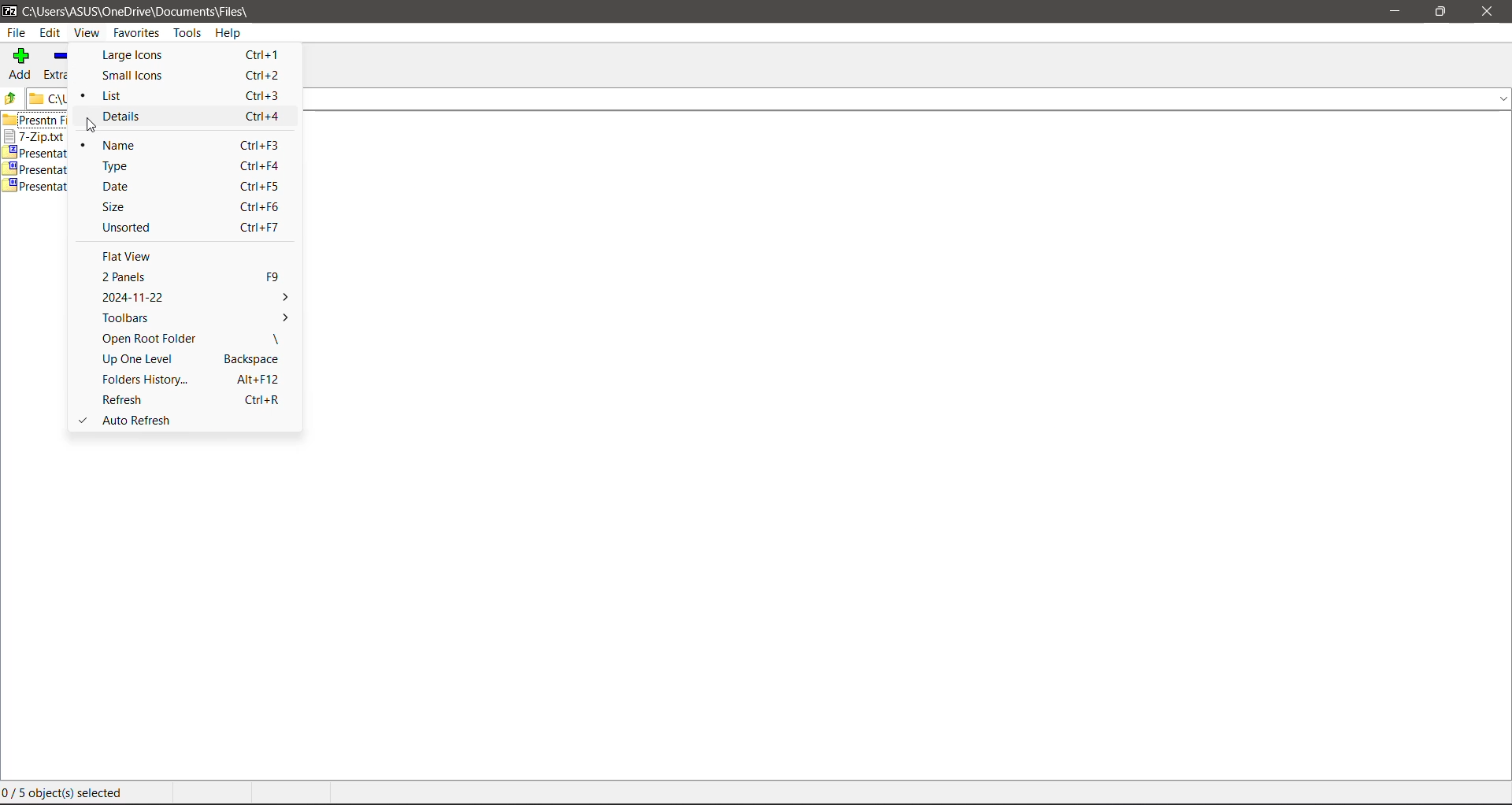 This screenshot has height=805, width=1512. What do you see at coordinates (1487, 13) in the screenshot?
I see `Close` at bounding box center [1487, 13].